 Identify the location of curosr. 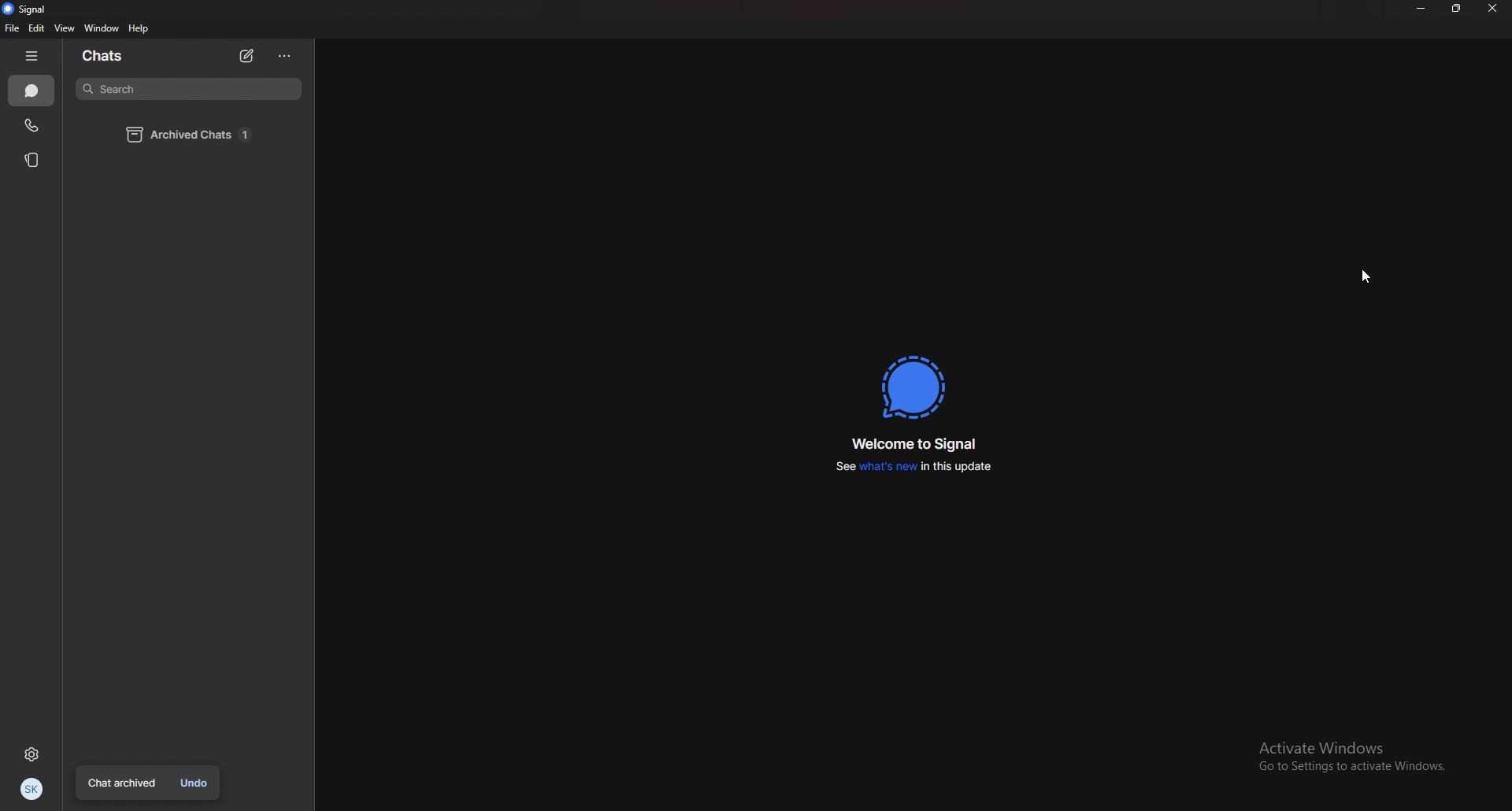
(1365, 275).